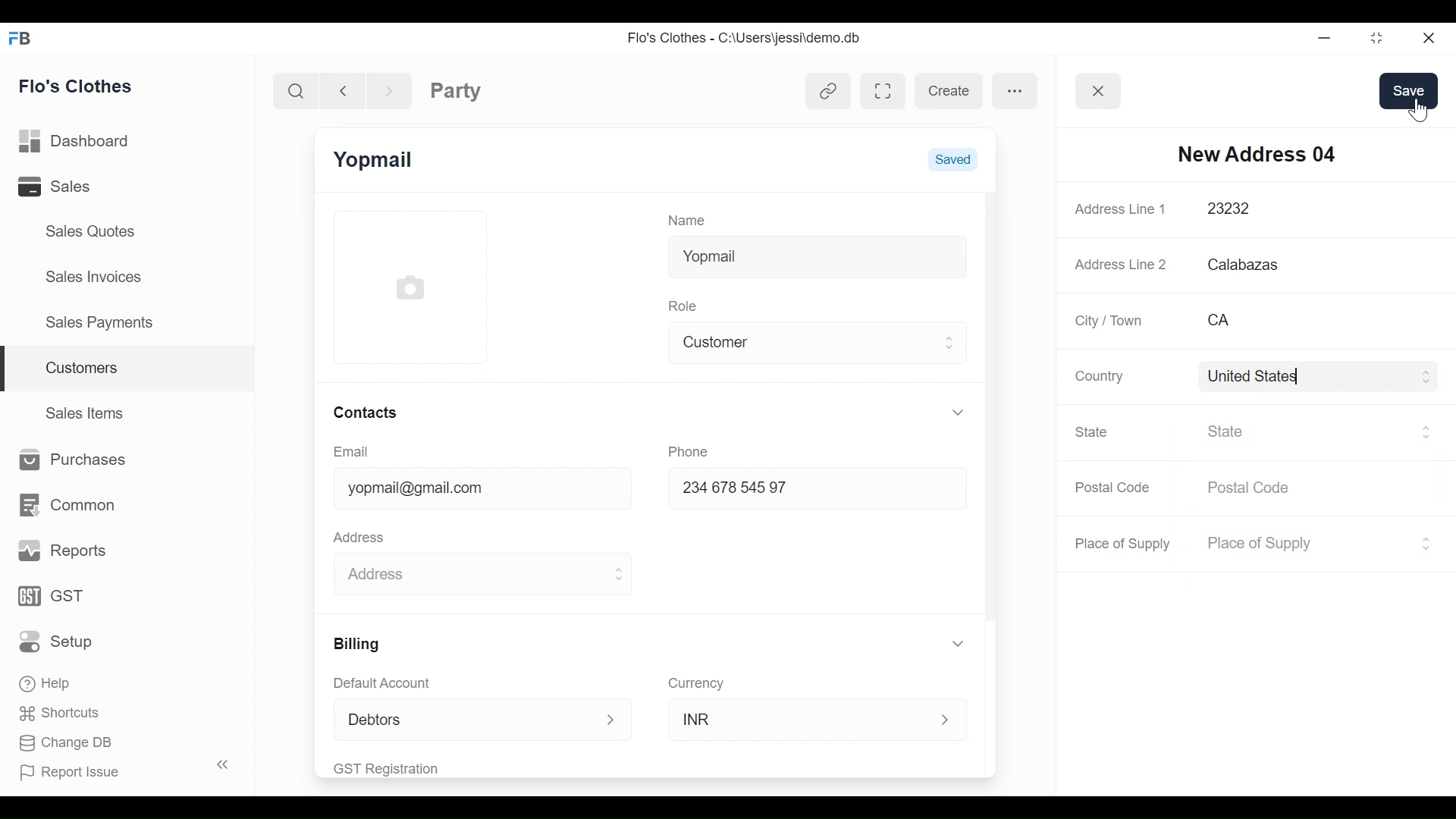  What do you see at coordinates (1408, 90) in the screenshot?
I see `save` at bounding box center [1408, 90].